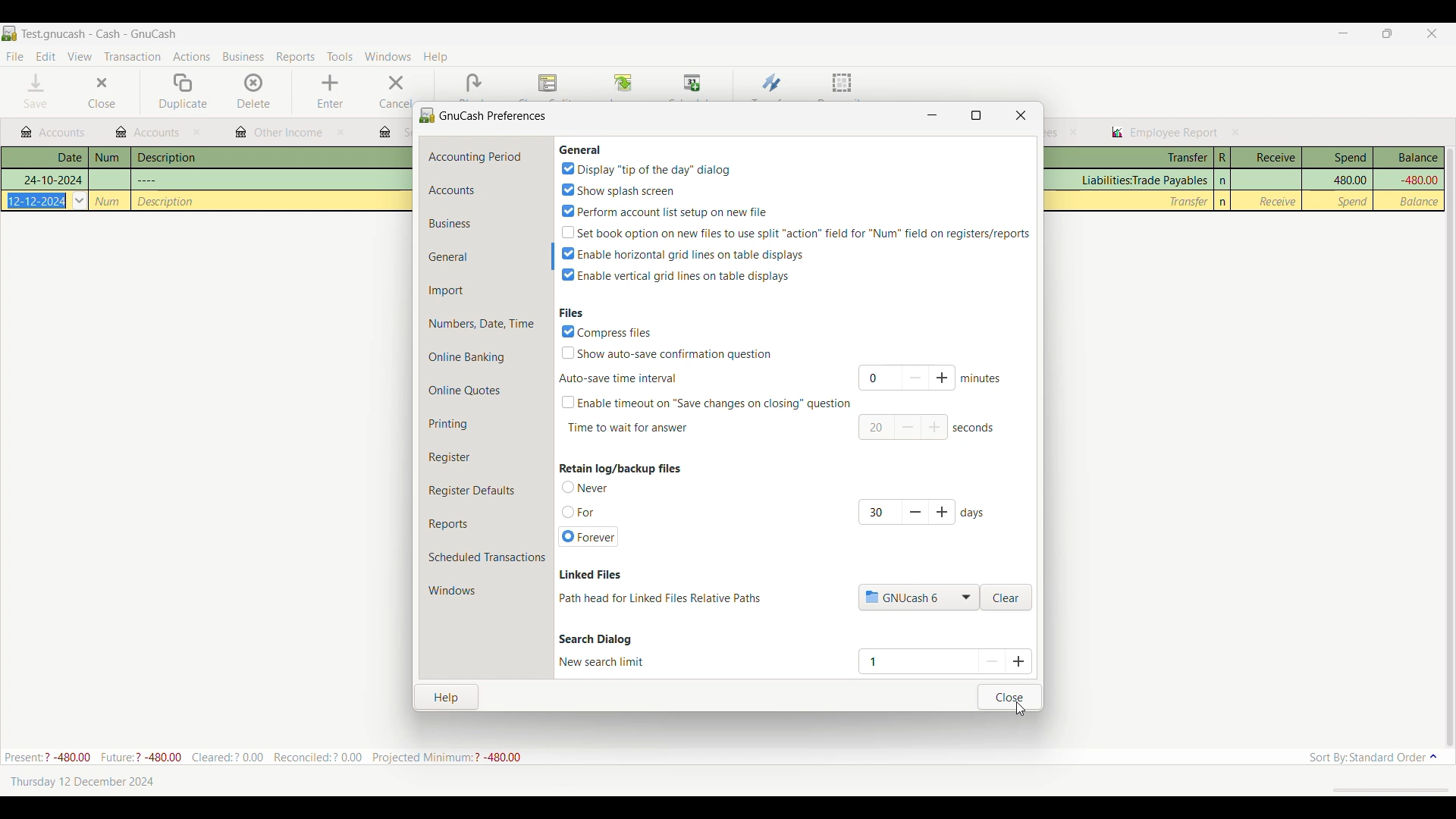 Image resolution: width=1456 pixels, height=819 pixels. What do you see at coordinates (1277, 201) in the screenshot?
I see `Receive column` at bounding box center [1277, 201].